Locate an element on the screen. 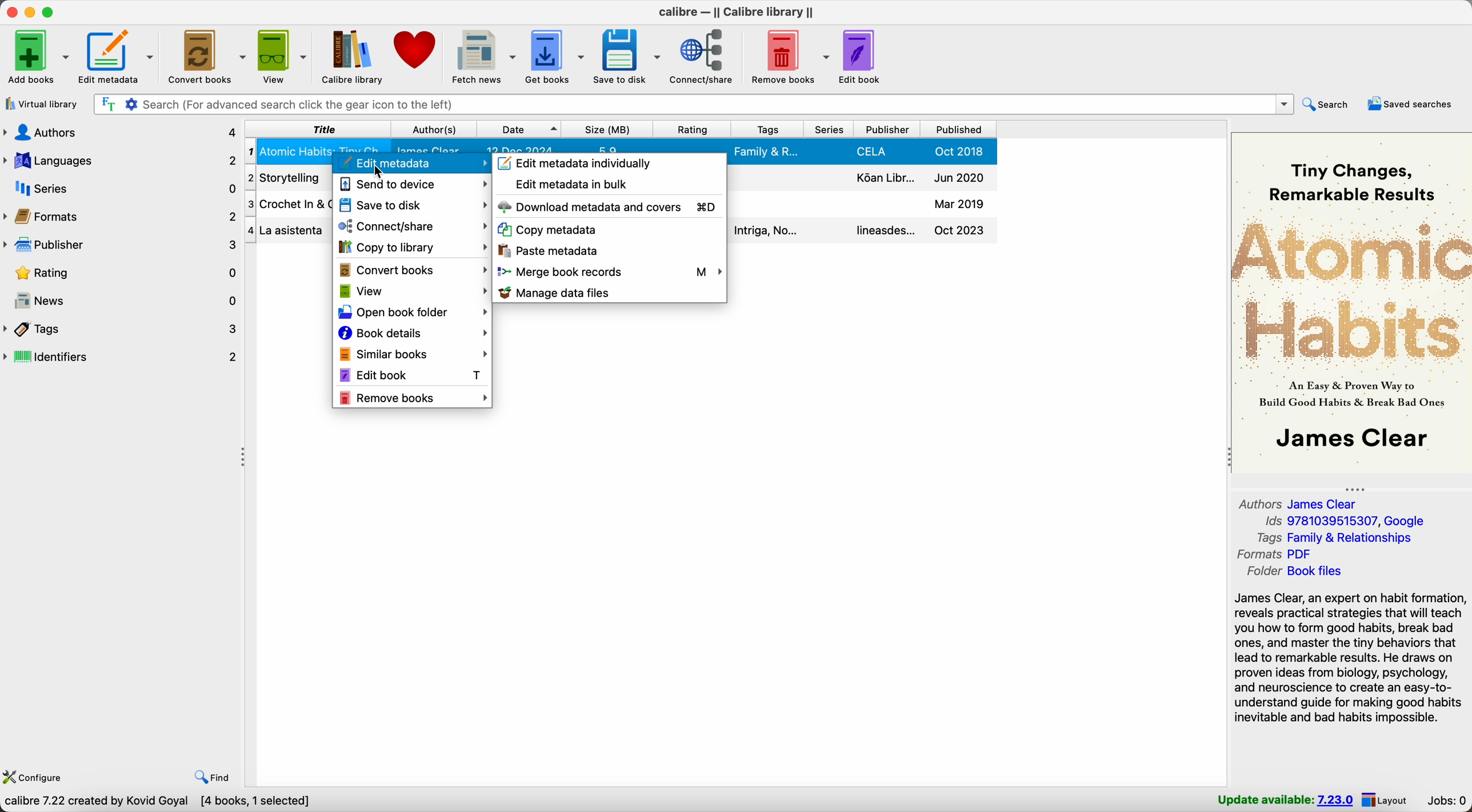 The image size is (1472, 812). cursor is located at coordinates (372, 169).